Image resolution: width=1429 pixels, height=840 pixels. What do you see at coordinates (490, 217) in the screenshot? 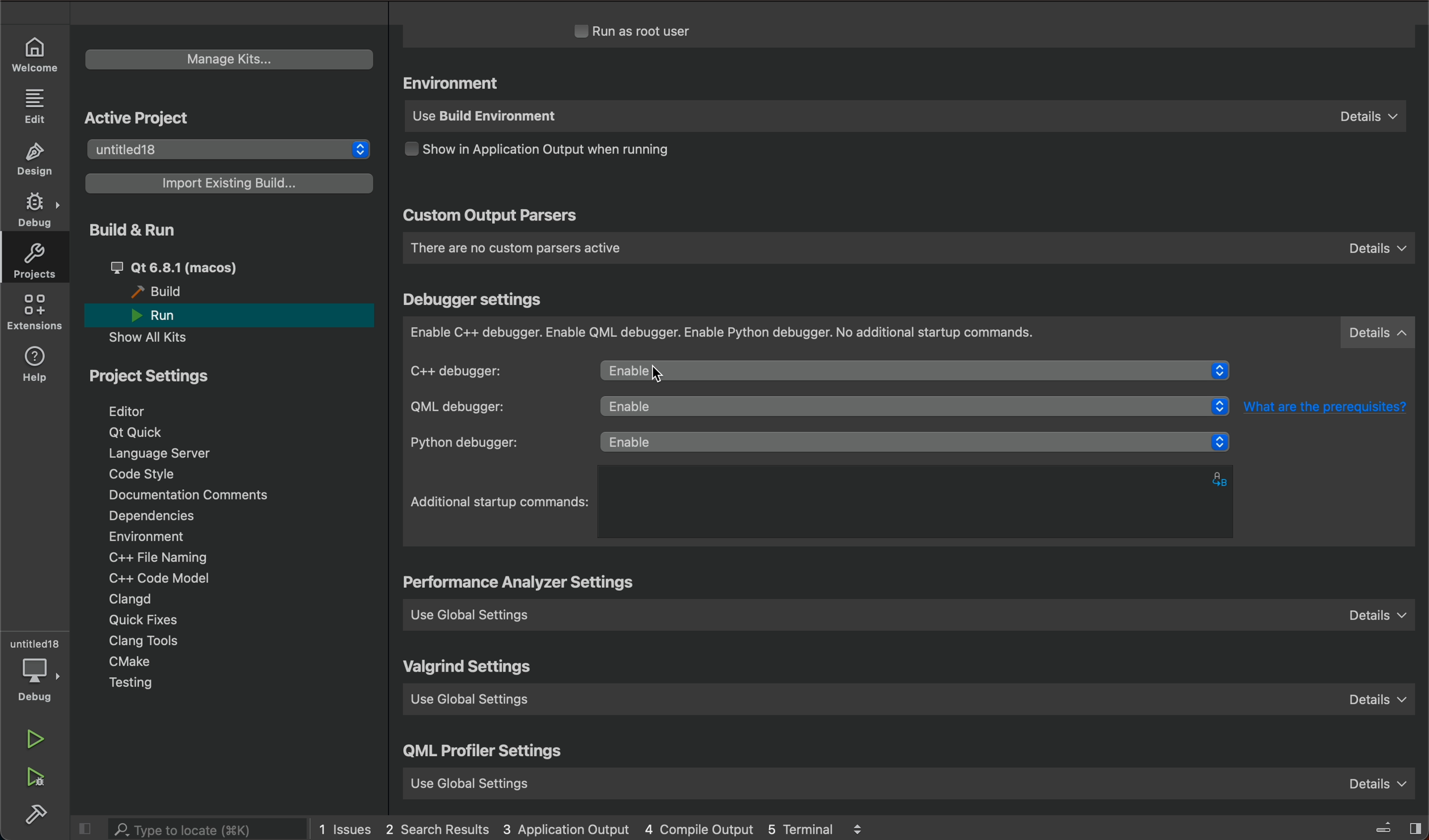
I see `custom` at bounding box center [490, 217].